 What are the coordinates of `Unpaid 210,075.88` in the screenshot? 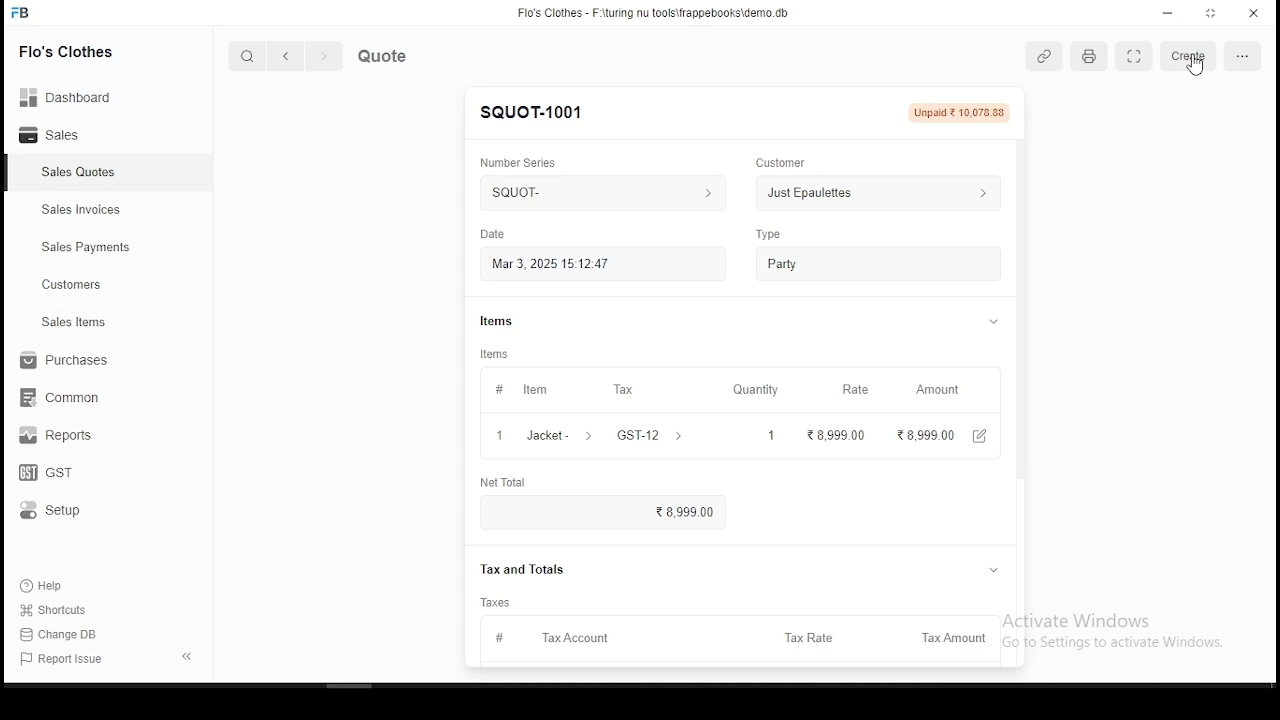 It's located at (964, 112).